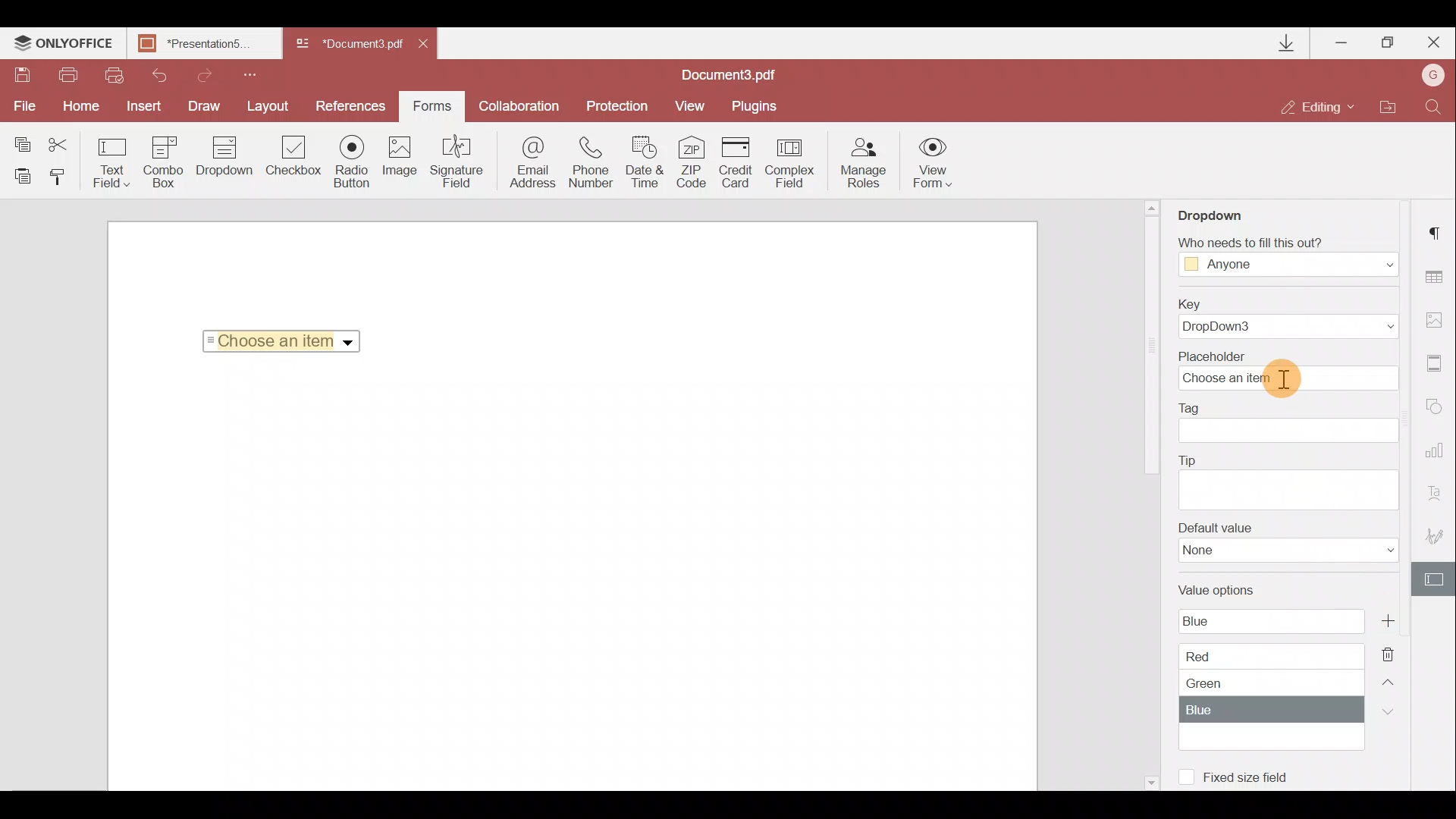 Image resolution: width=1456 pixels, height=819 pixels. I want to click on Add, so click(1387, 620).